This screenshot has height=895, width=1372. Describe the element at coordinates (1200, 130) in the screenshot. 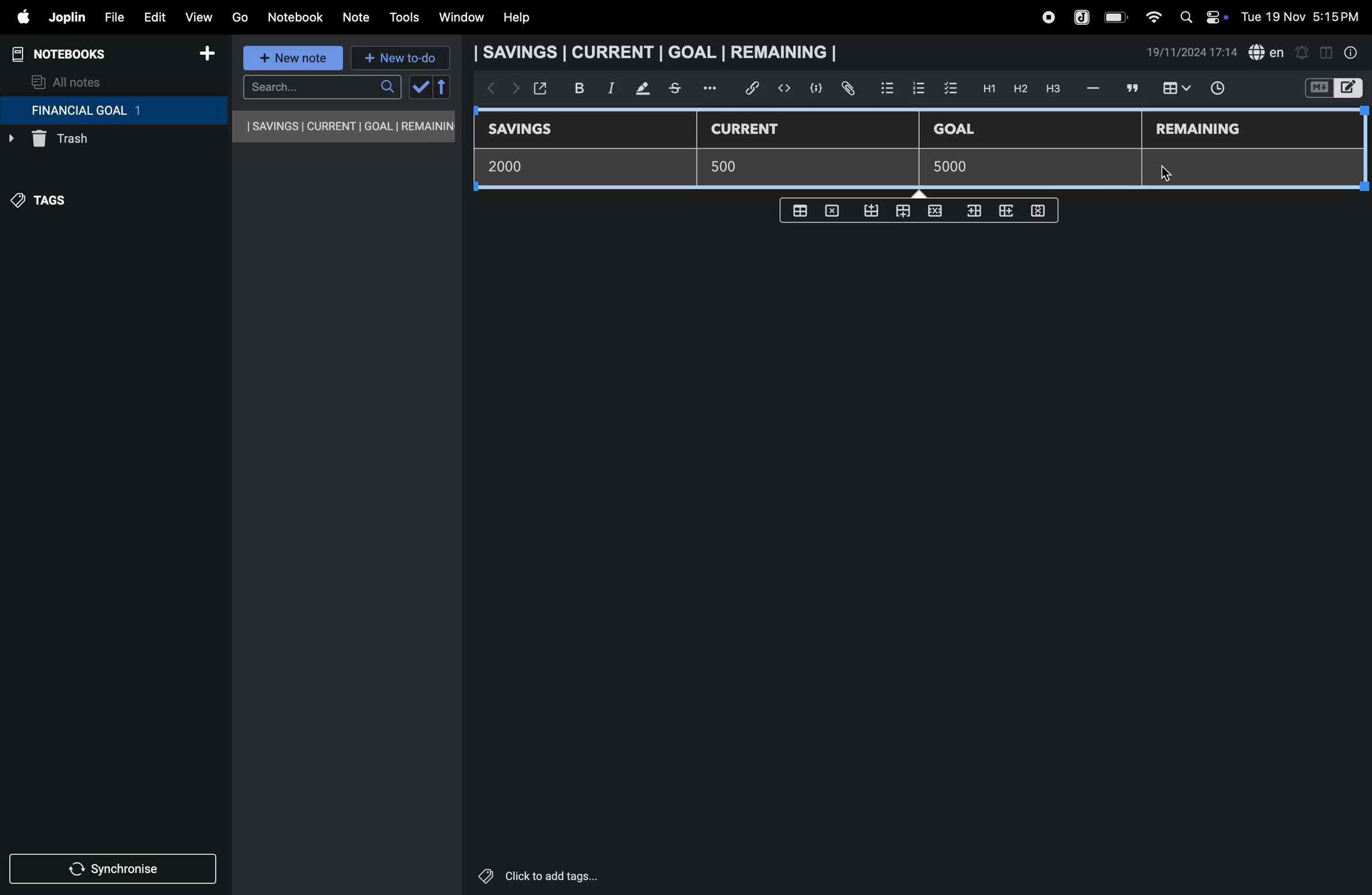

I see `remaining` at that location.